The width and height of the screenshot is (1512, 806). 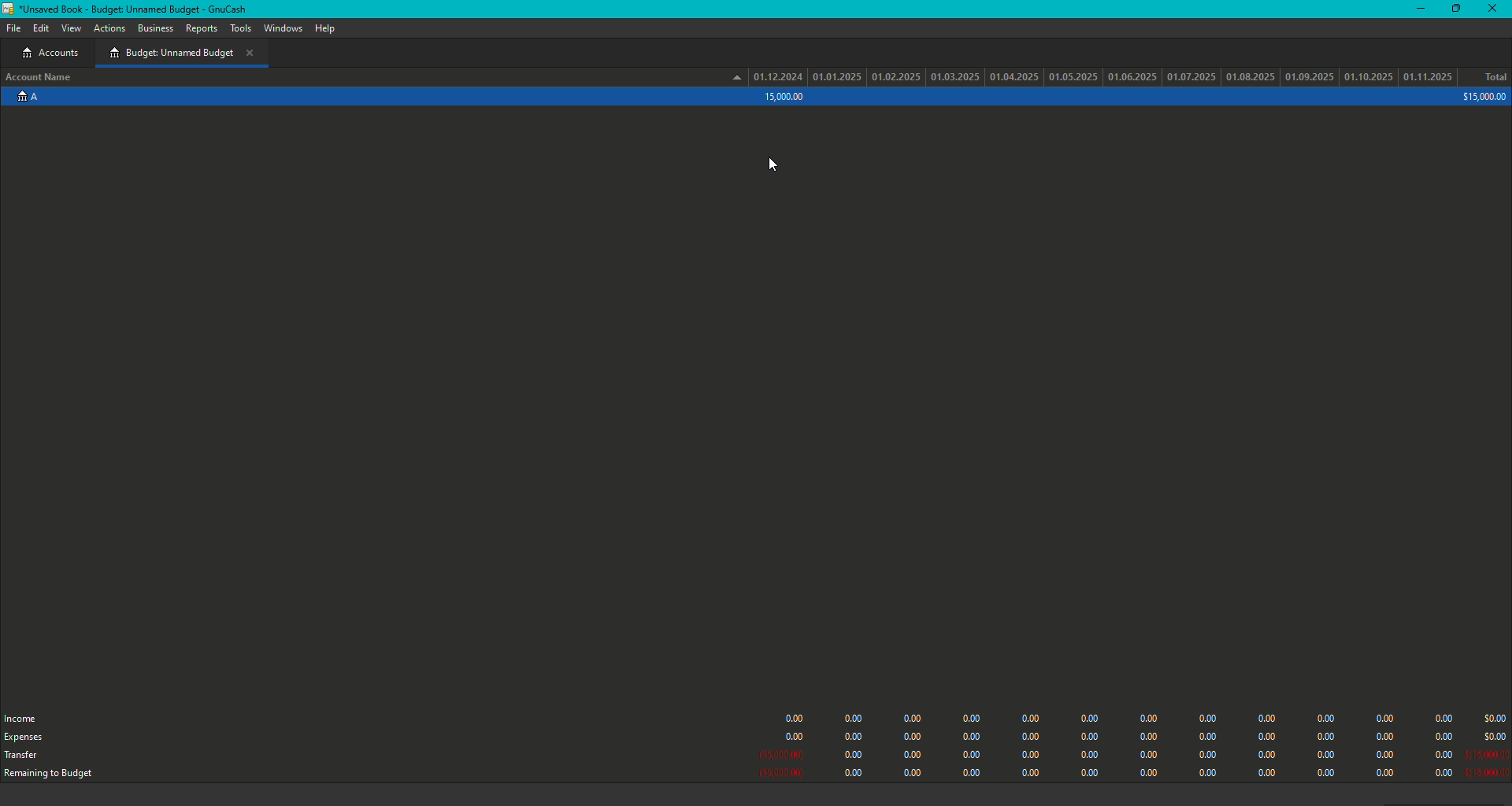 What do you see at coordinates (23, 758) in the screenshot?
I see `Transfer` at bounding box center [23, 758].